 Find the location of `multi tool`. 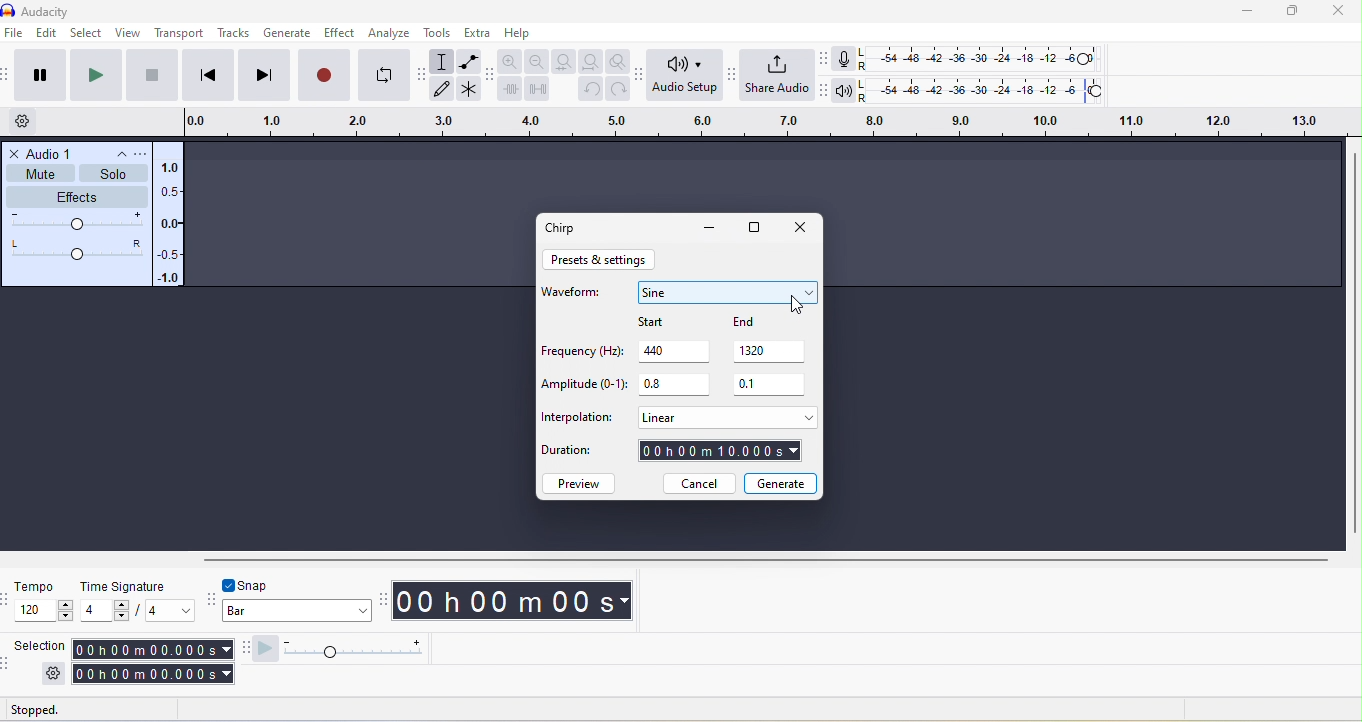

multi tool is located at coordinates (470, 89).